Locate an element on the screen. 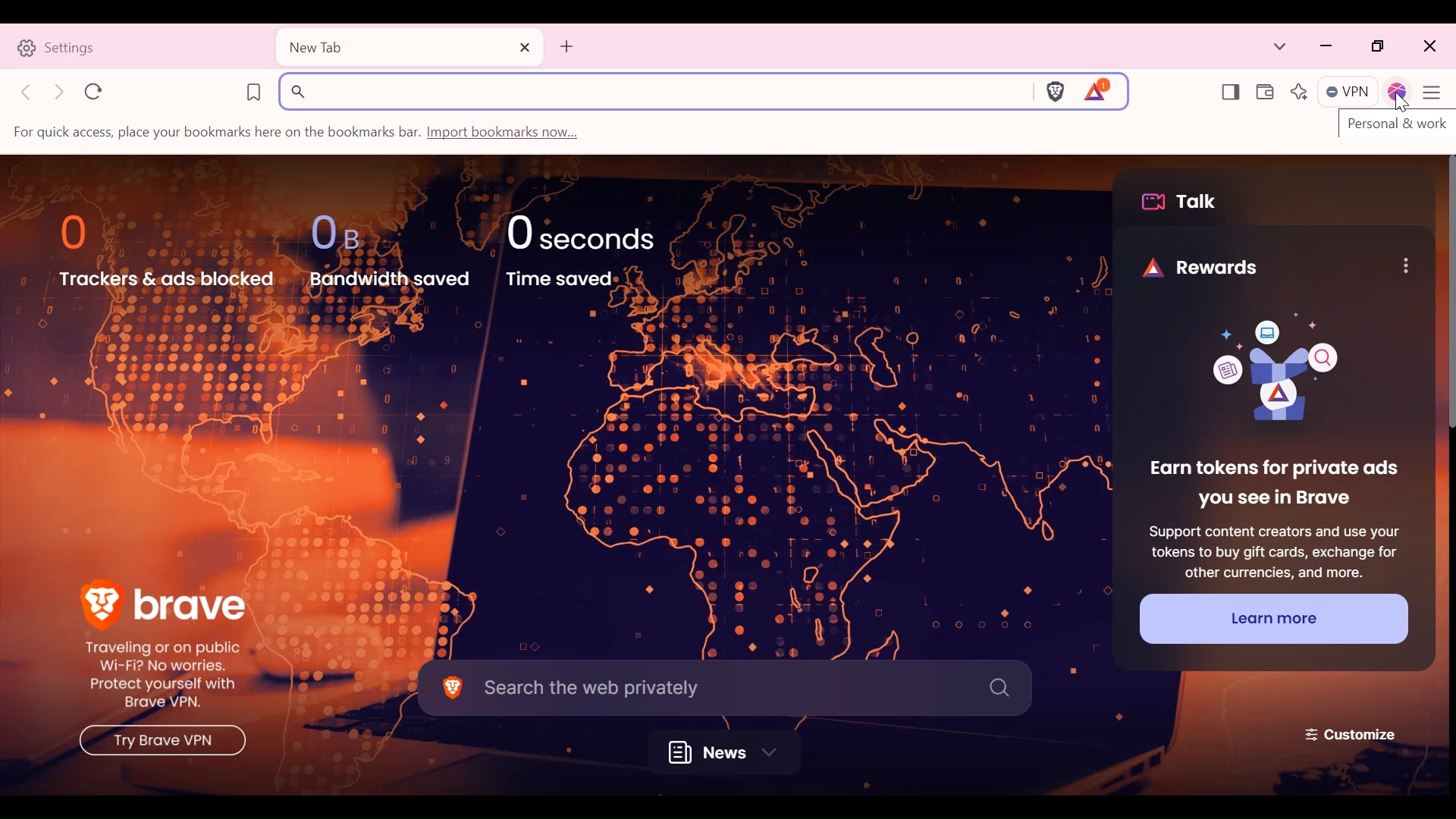 The image size is (1456, 819).  is located at coordinates (158, 743).